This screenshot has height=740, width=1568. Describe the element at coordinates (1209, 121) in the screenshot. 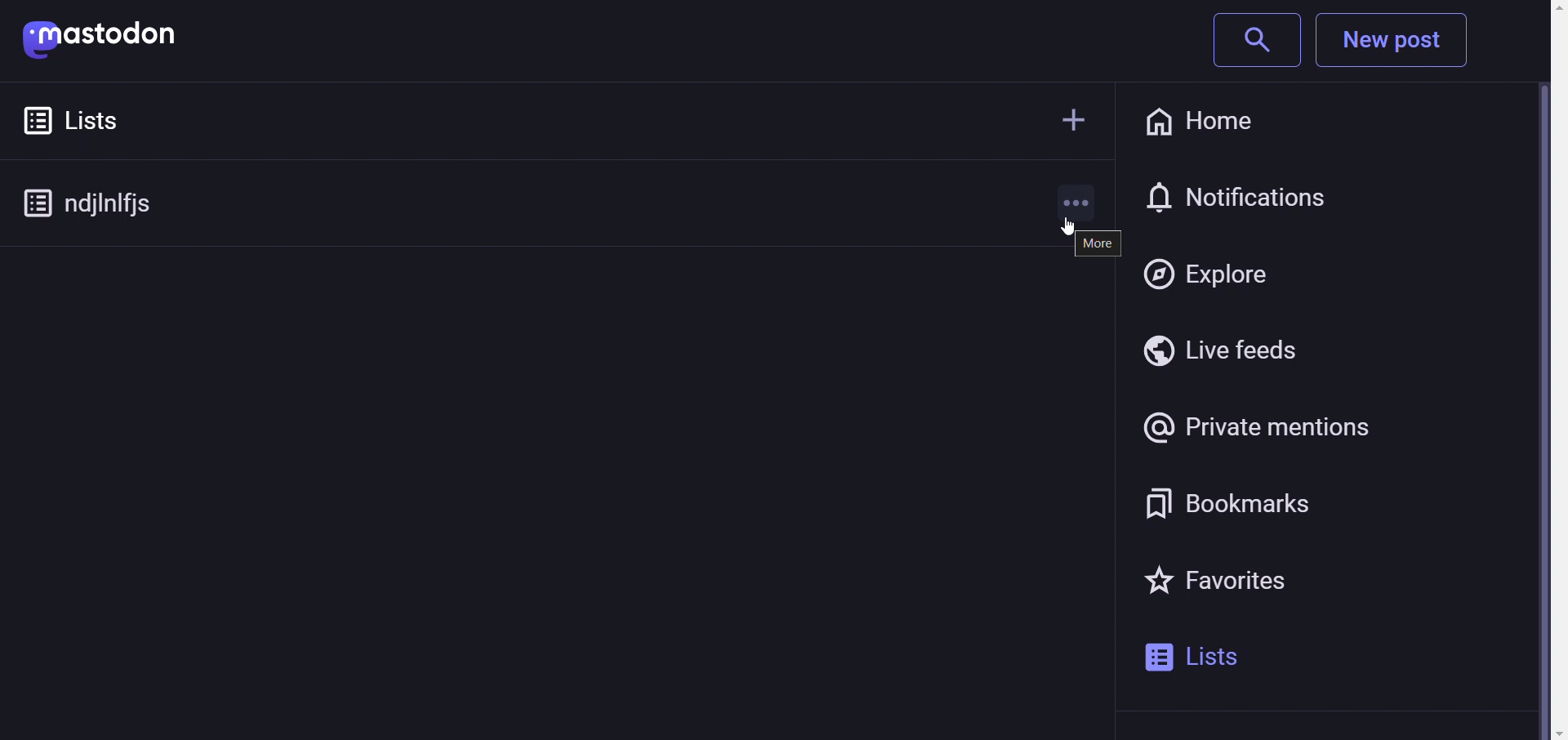

I see `home` at that location.